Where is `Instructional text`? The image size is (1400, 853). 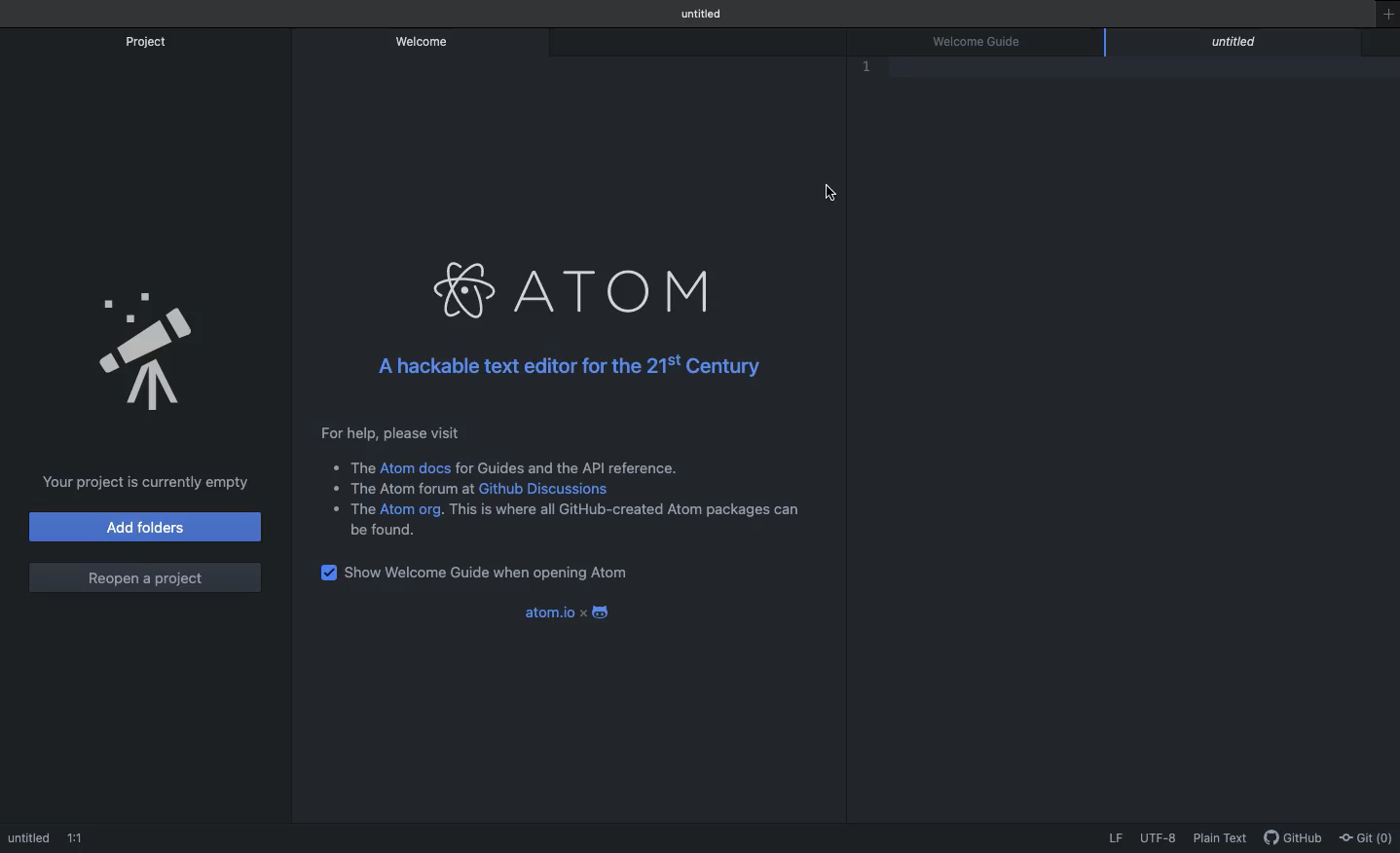
Instructional text is located at coordinates (571, 429).